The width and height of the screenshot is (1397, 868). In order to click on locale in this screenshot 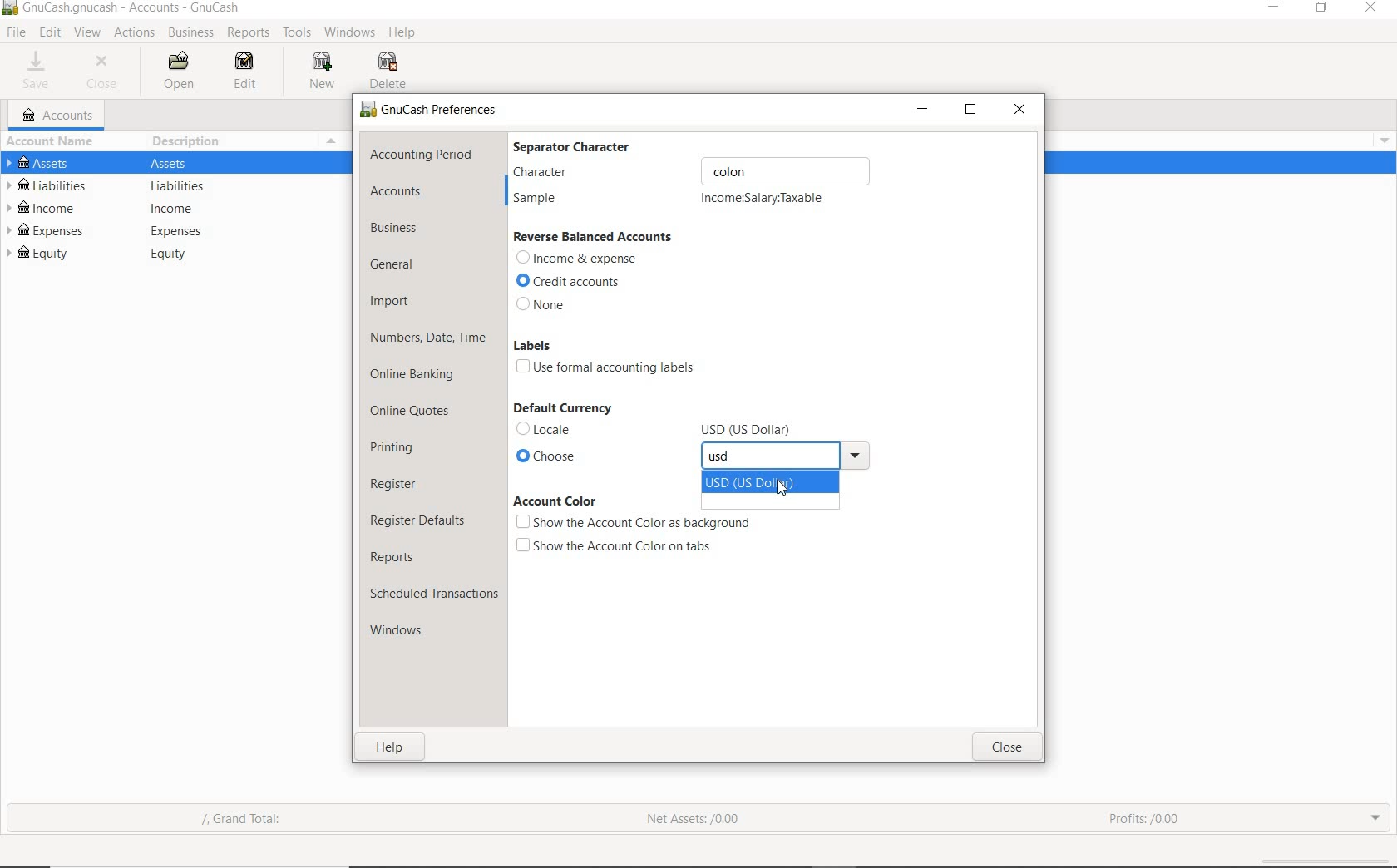, I will do `click(570, 428)`.